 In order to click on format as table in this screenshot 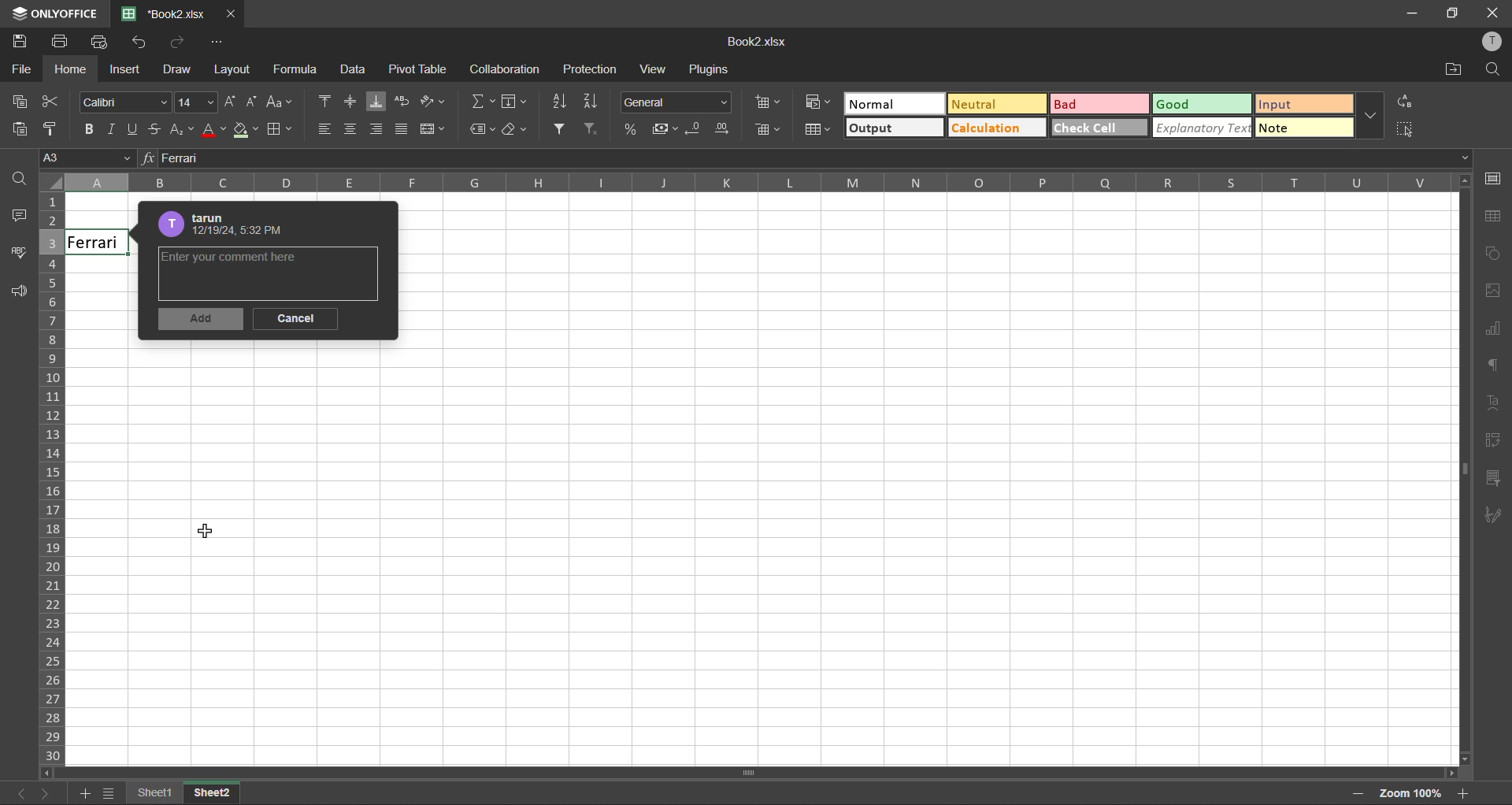, I will do `click(817, 129)`.